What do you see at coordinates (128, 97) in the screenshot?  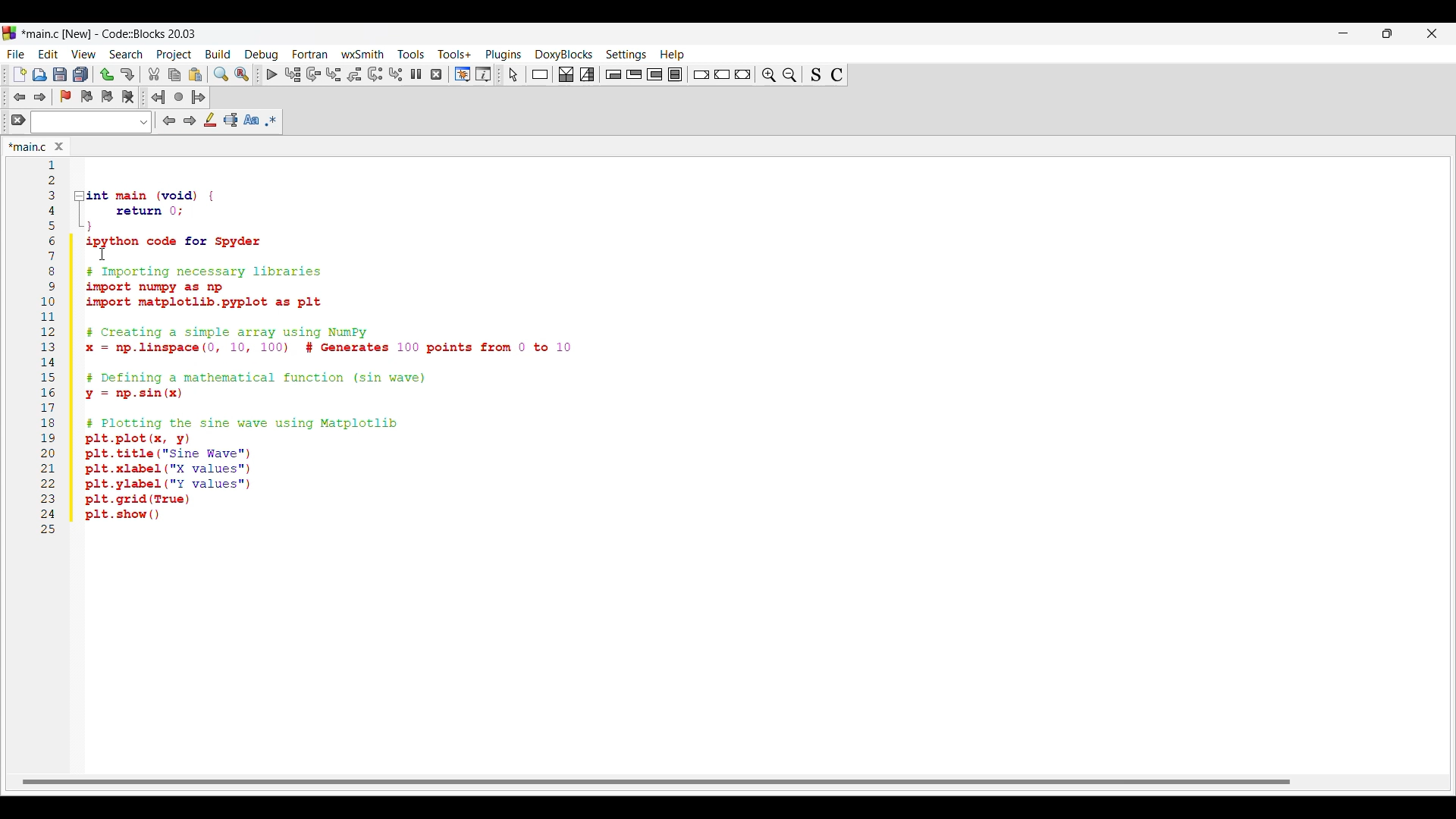 I see `Clear bookmarks` at bounding box center [128, 97].